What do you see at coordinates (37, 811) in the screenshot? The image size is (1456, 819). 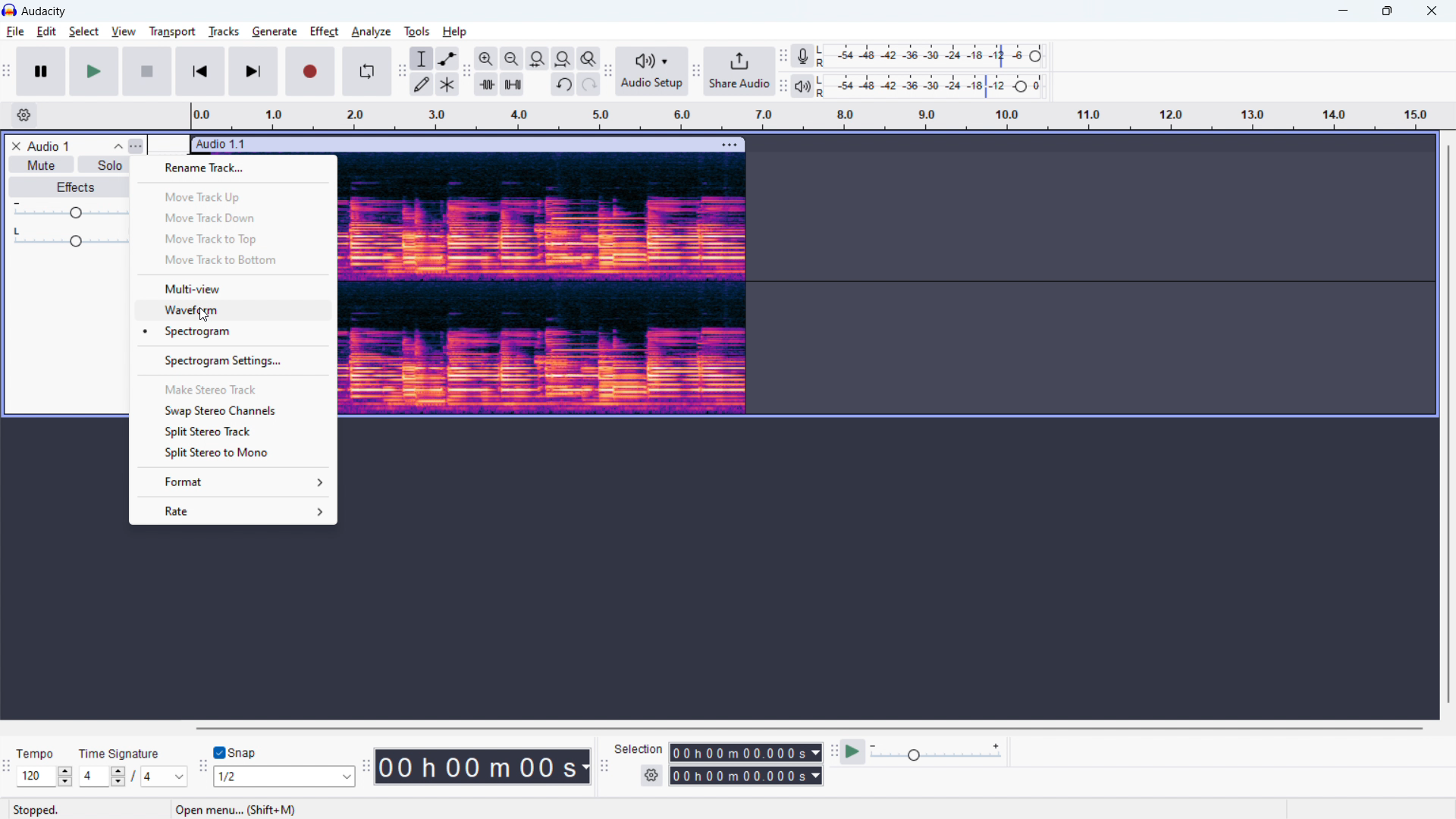 I see `stopped` at bounding box center [37, 811].